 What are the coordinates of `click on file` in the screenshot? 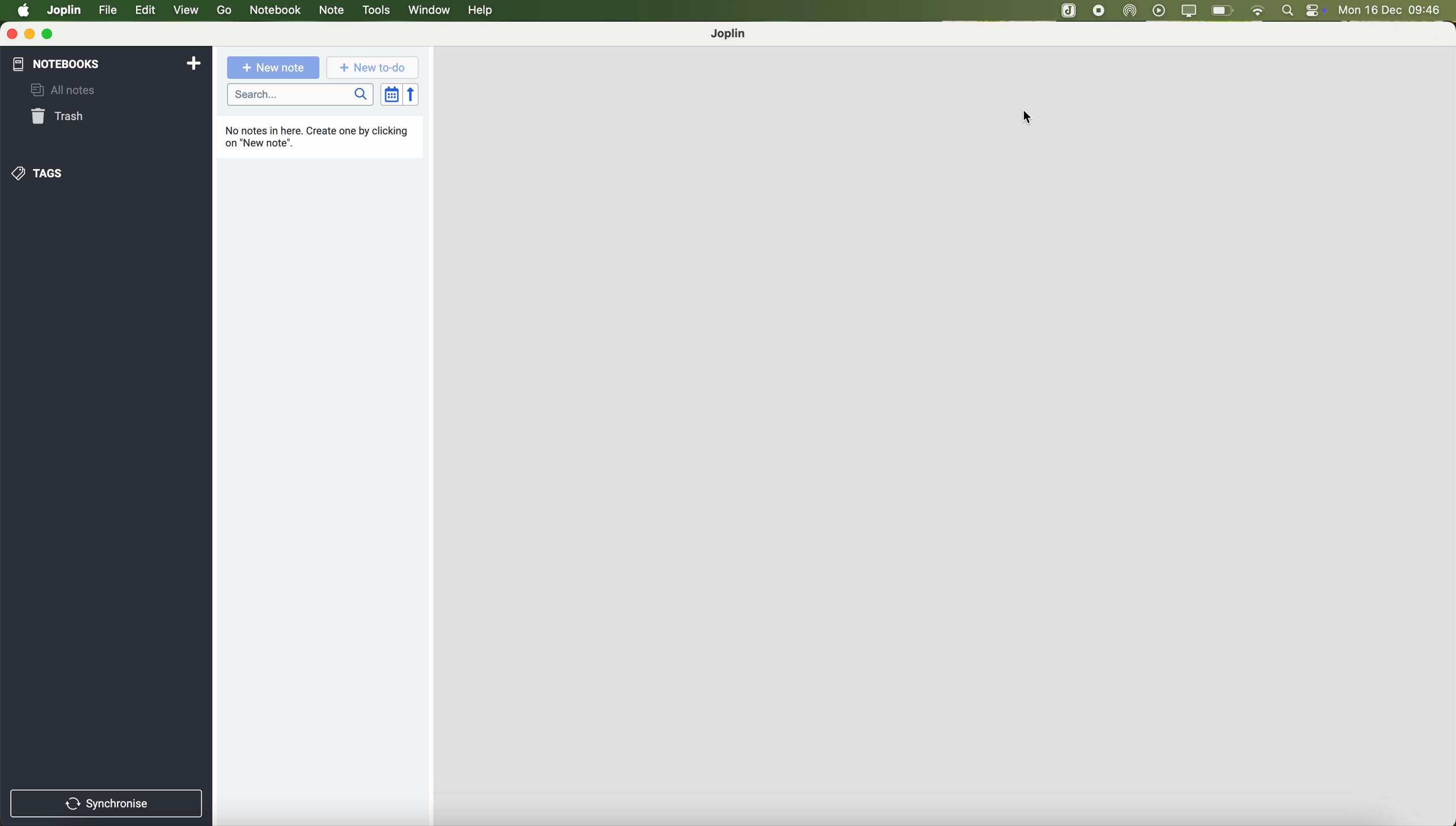 It's located at (109, 12).